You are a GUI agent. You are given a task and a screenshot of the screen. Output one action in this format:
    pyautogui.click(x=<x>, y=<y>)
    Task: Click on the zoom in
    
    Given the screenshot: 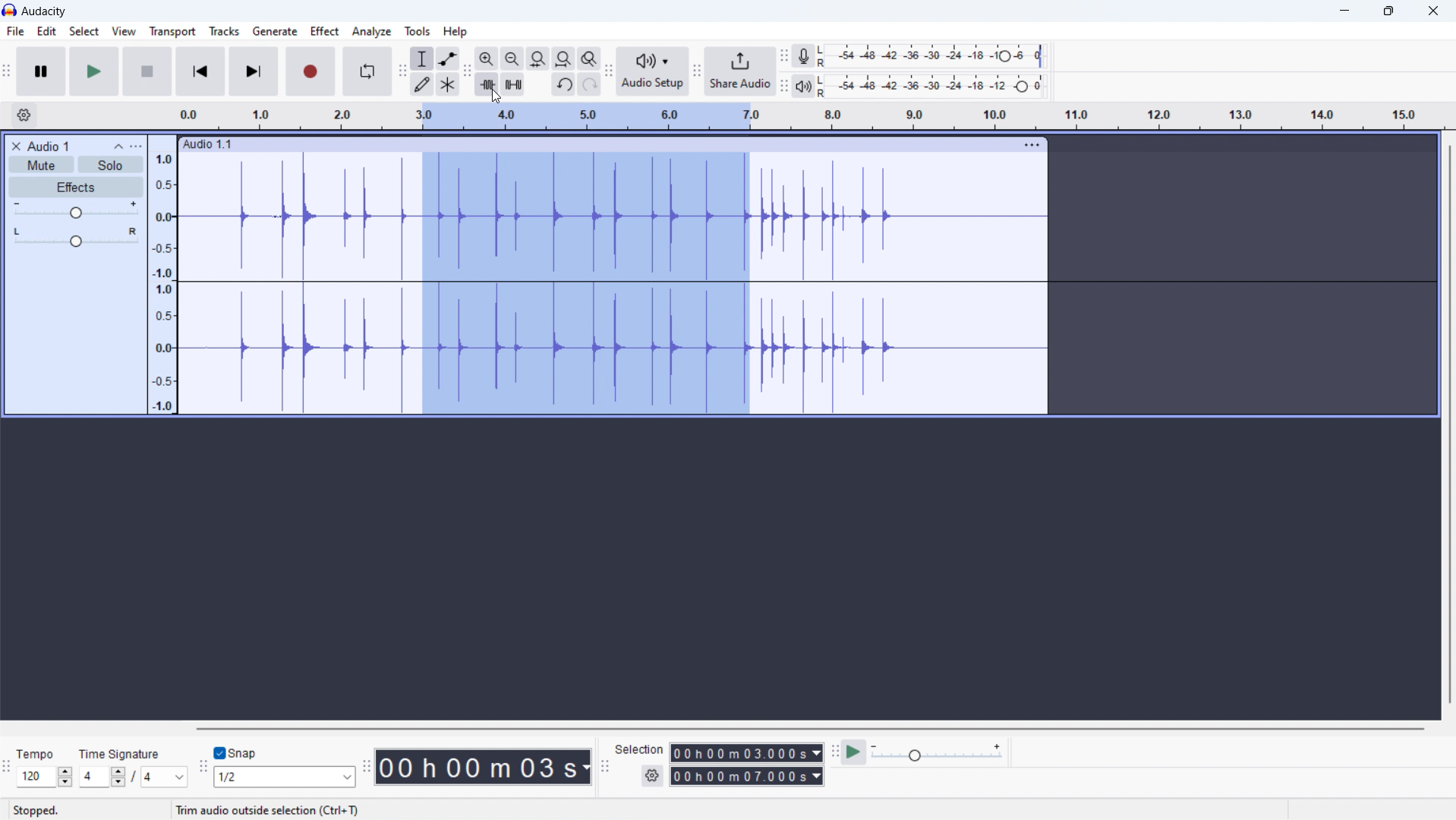 What is the action you would take?
    pyautogui.click(x=487, y=58)
    